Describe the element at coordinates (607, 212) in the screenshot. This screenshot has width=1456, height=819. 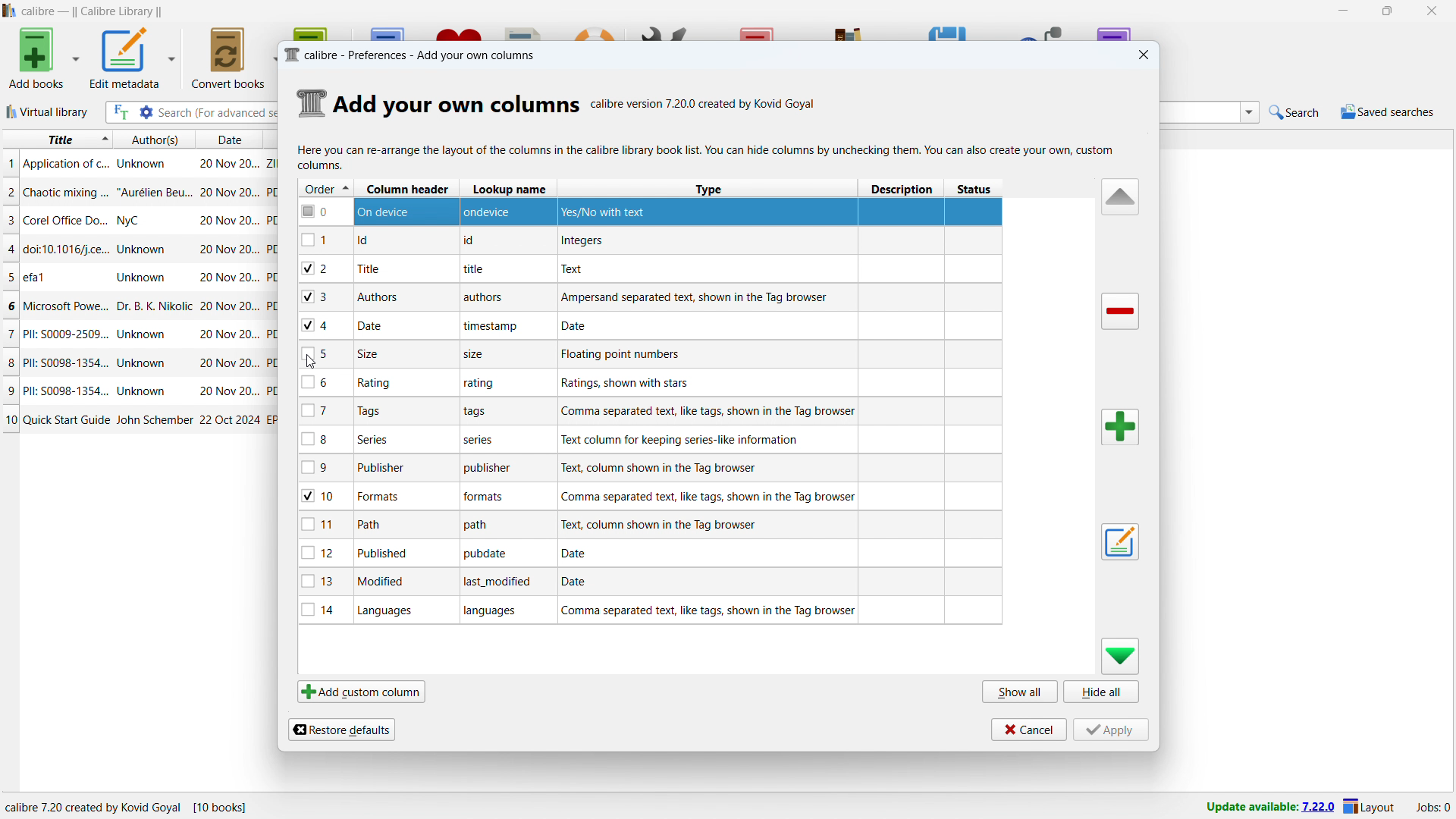
I see `yes/No with text` at that location.